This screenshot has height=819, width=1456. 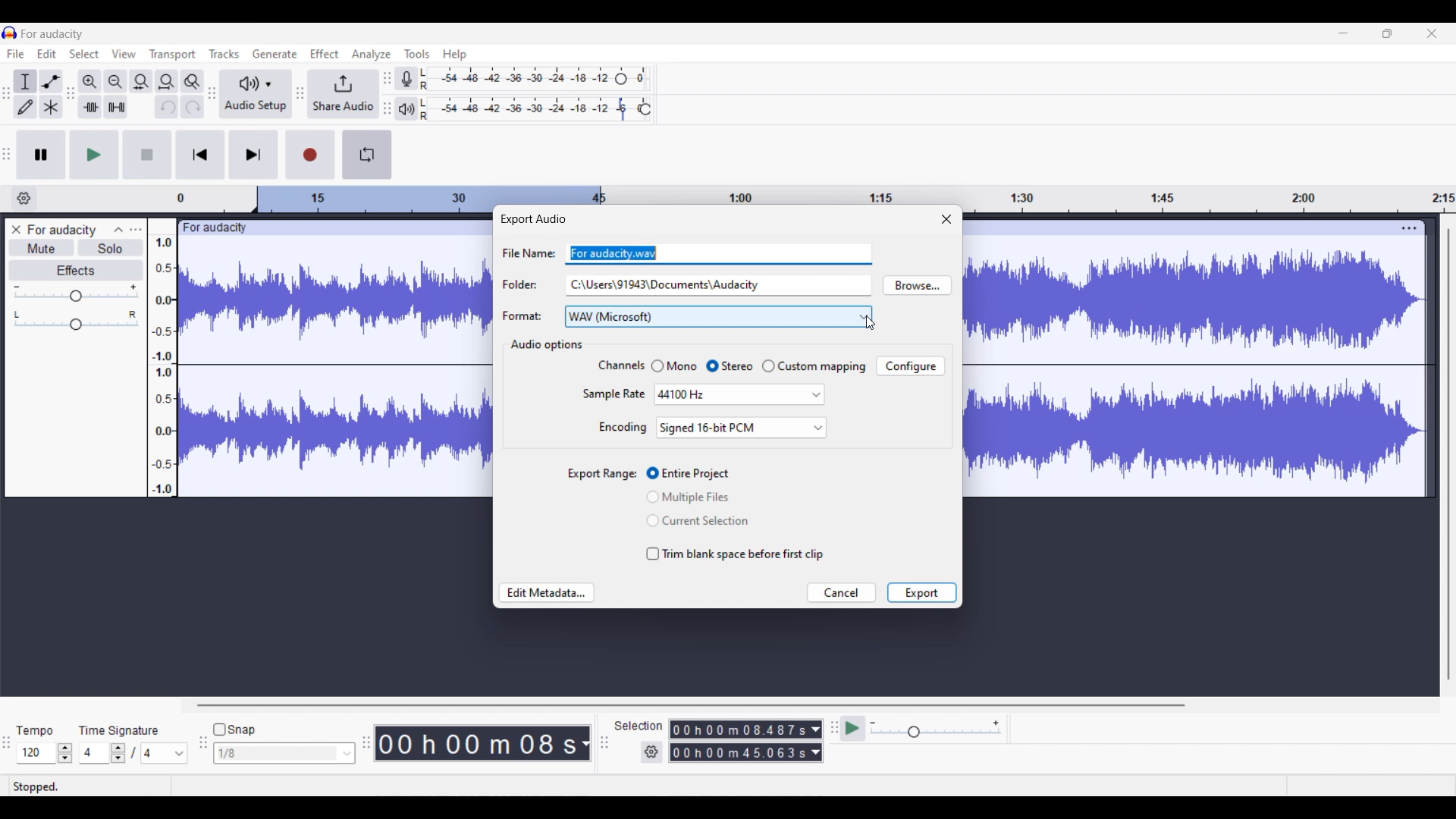 What do you see at coordinates (936, 728) in the screenshot?
I see `Playback speed scale` at bounding box center [936, 728].